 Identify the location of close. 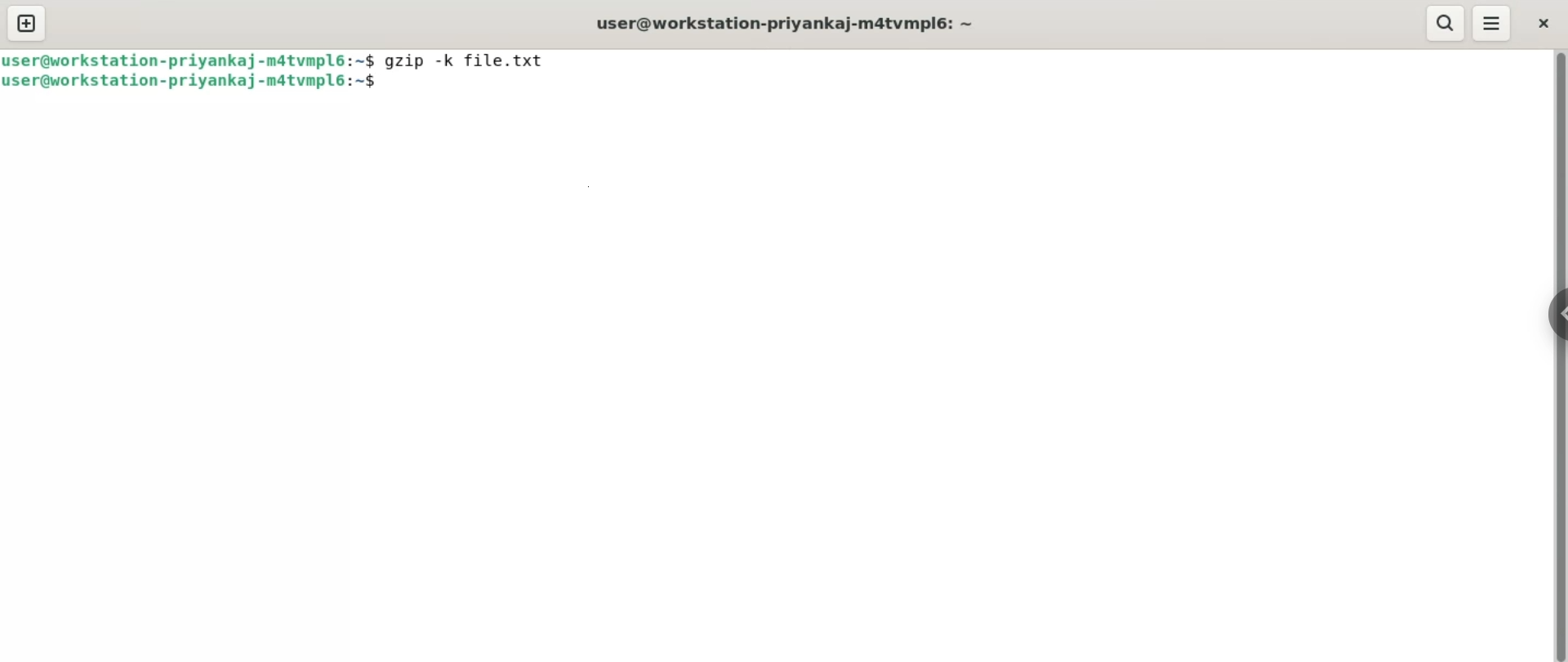
(1543, 24).